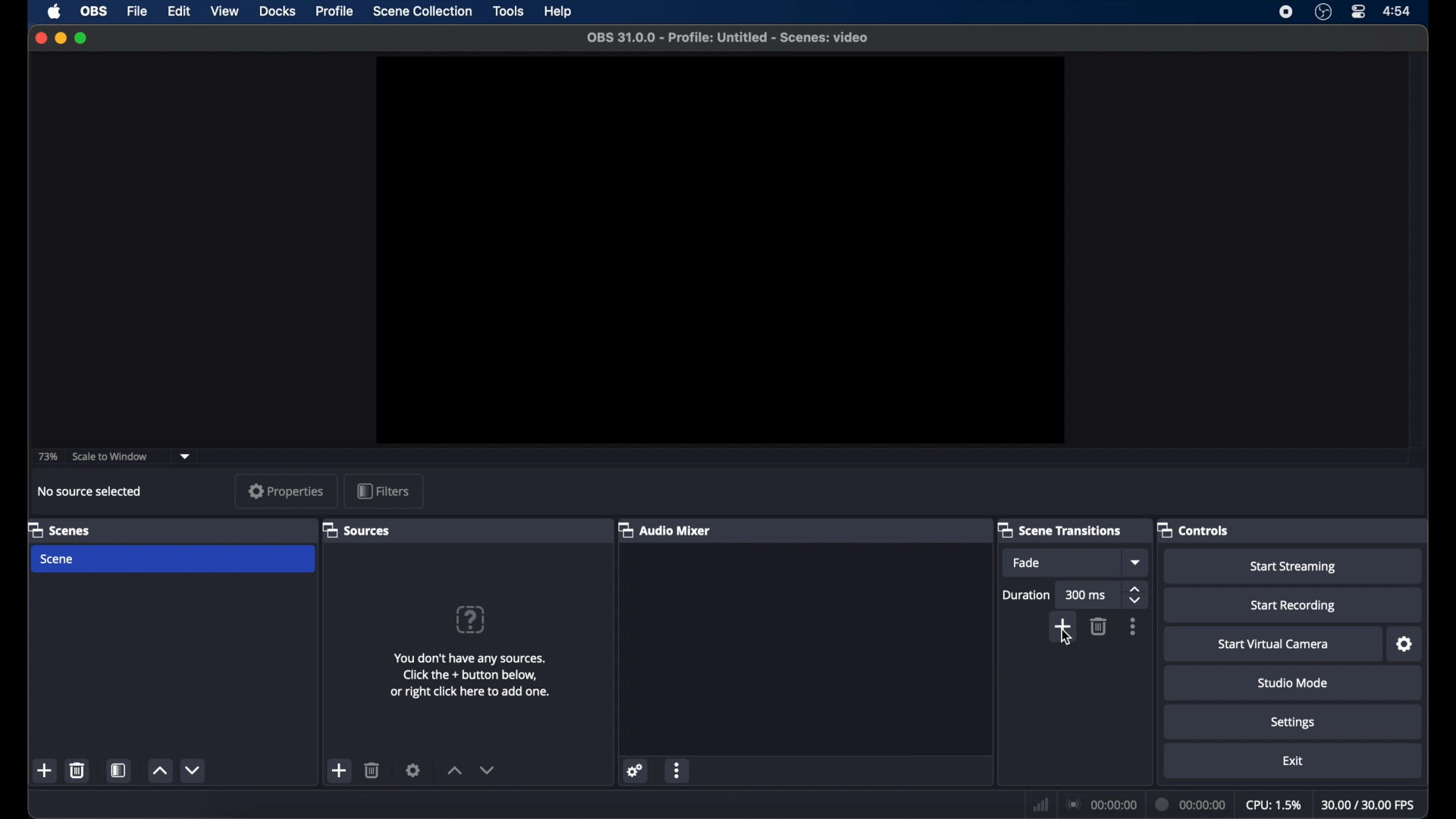 The height and width of the screenshot is (819, 1456). What do you see at coordinates (722, 249) in the screenshot?
I see `preview` at bounding box center [722, 249].